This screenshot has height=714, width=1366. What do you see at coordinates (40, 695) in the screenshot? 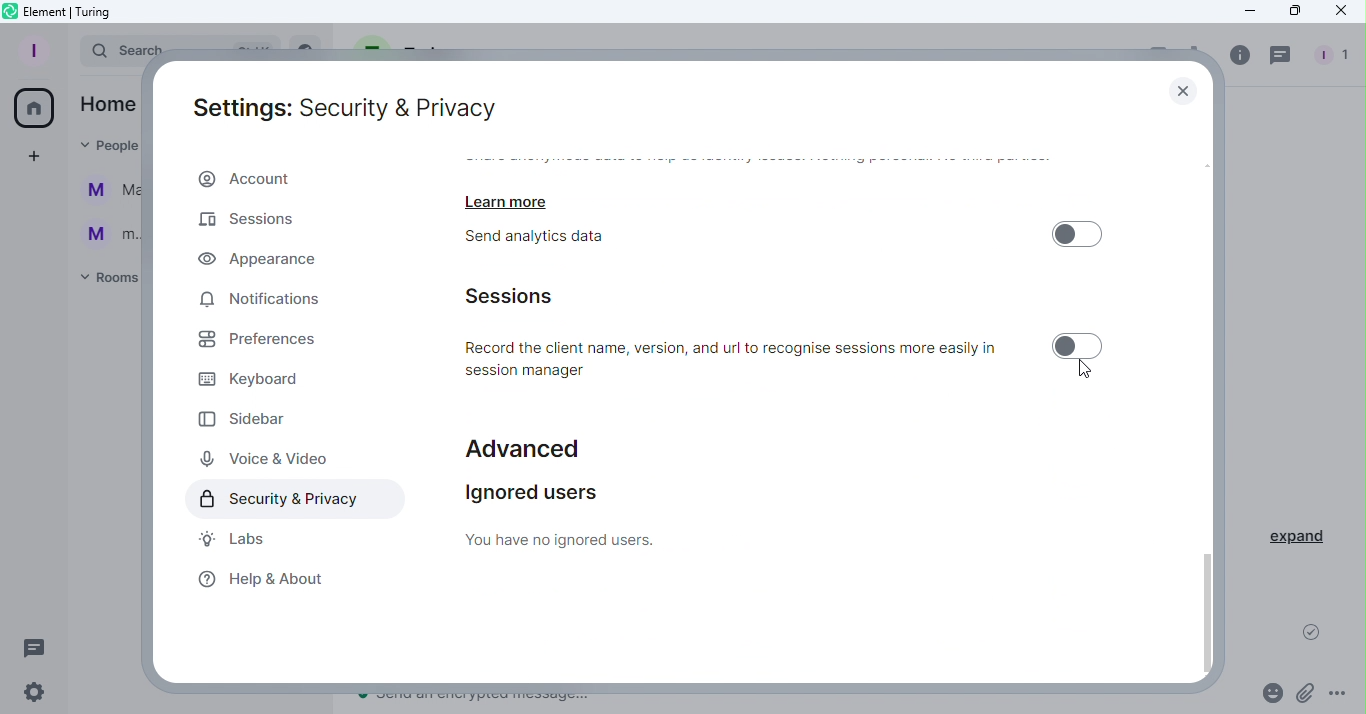
I see `Settings` at bounding box center [40, 695].